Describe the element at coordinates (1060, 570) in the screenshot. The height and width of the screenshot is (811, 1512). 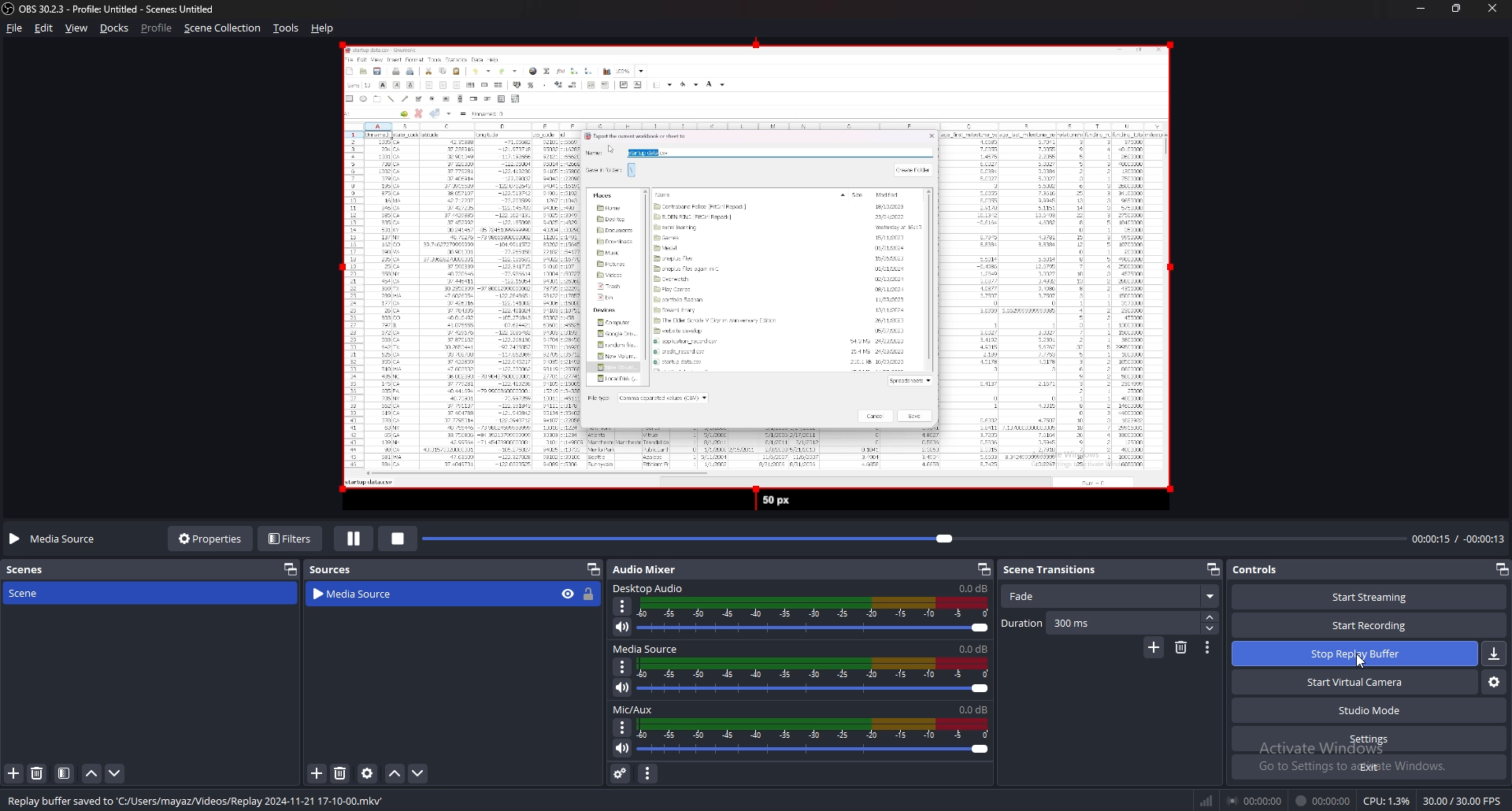
I see `scene transitions` at that location.